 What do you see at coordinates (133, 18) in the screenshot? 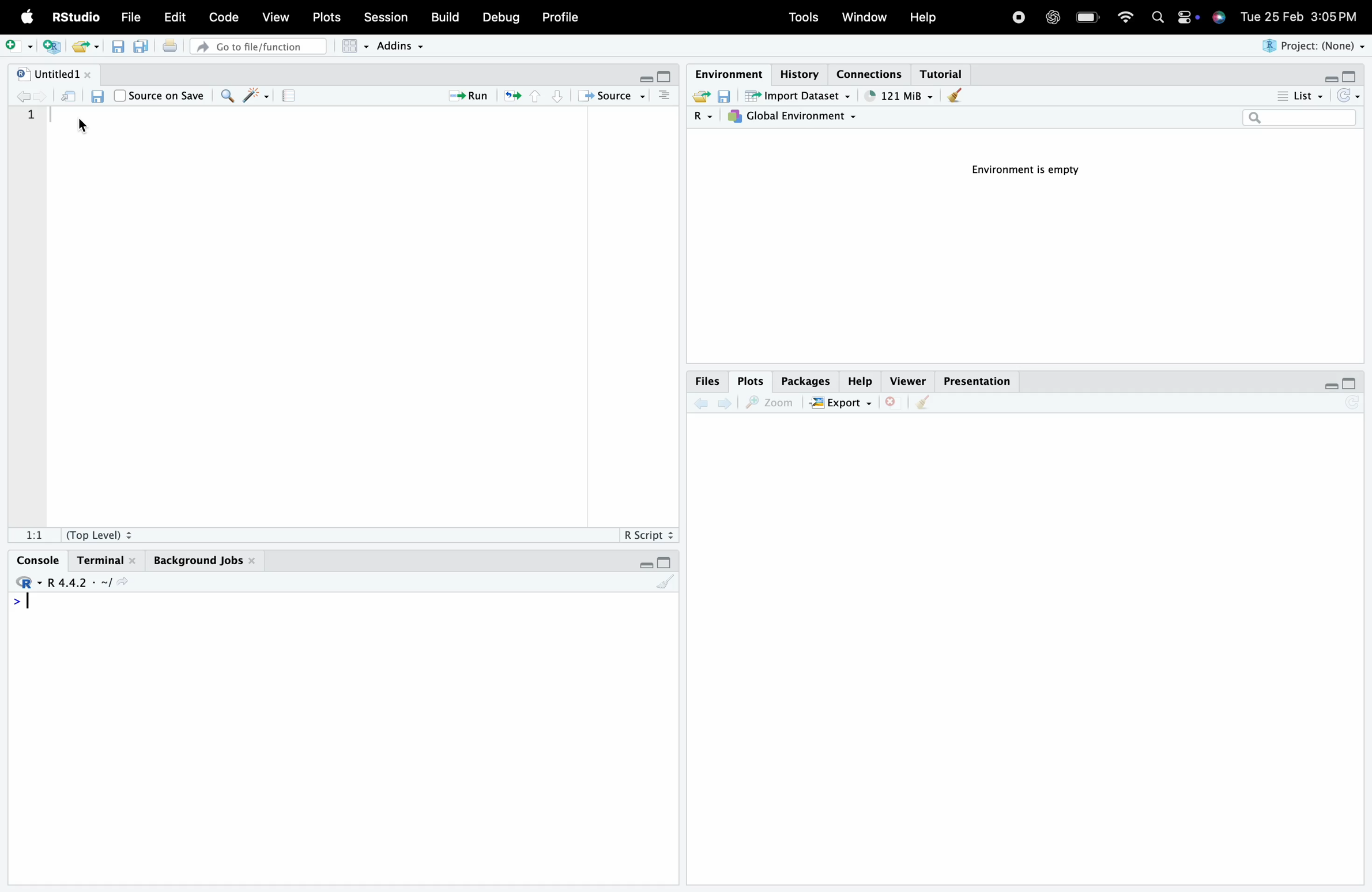
I see `File` at bounding box center [133, 18].